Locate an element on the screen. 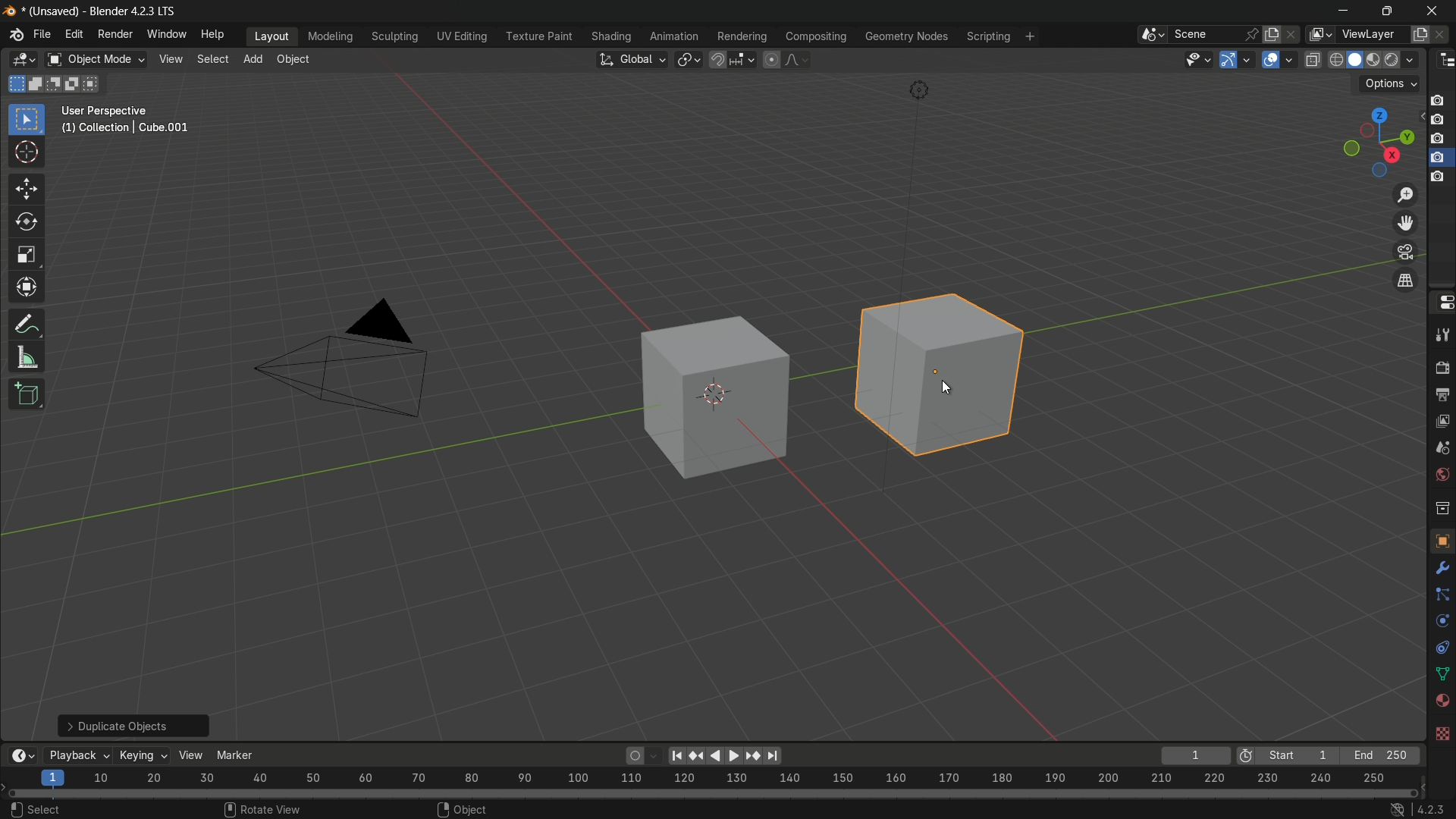  view layer is located at coordinates (1442, 419).